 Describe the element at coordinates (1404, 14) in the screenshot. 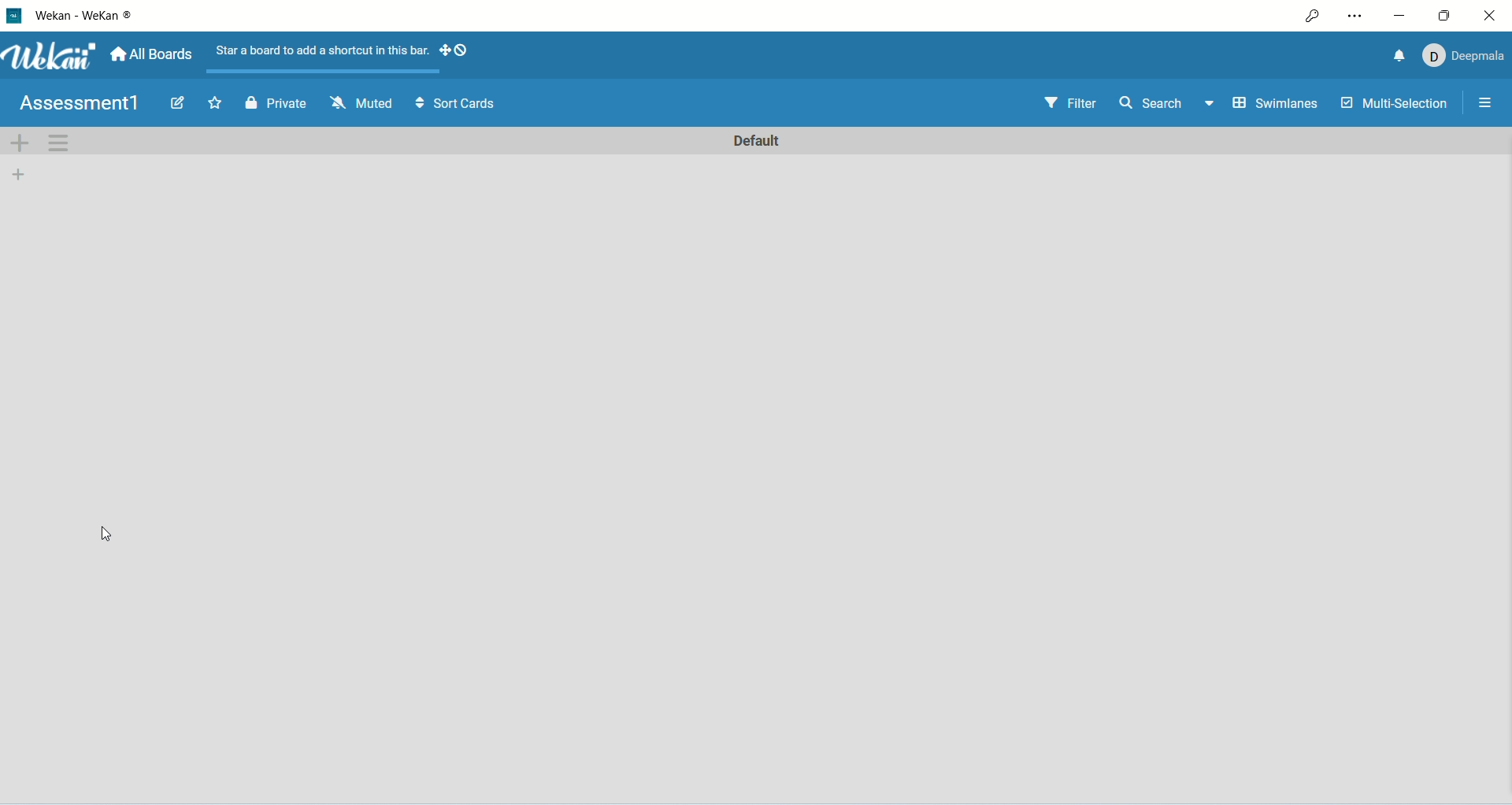

I see `minimize` at that location.